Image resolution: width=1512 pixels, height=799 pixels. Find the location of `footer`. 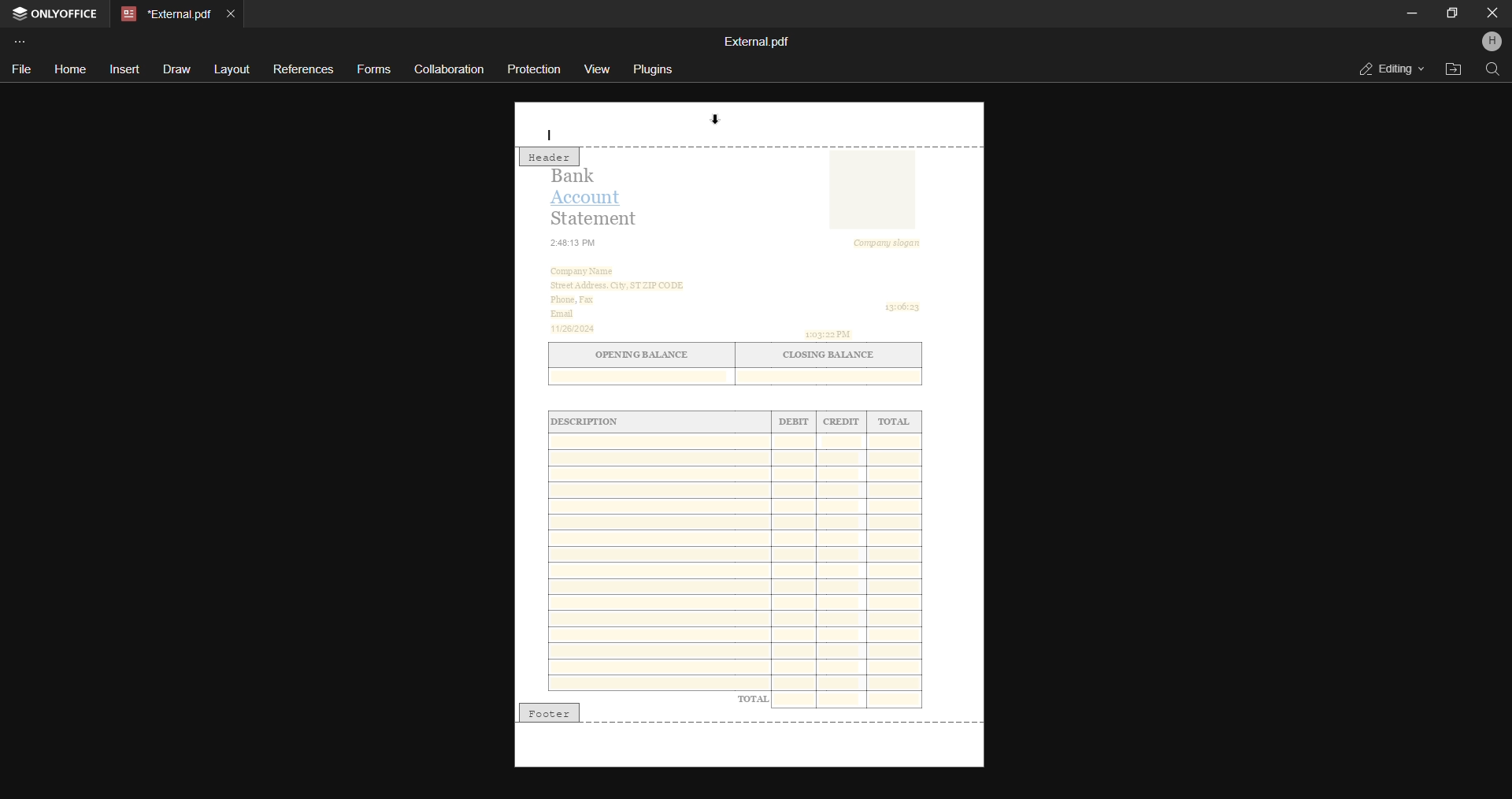

footer is located at coordinates (550, 711).